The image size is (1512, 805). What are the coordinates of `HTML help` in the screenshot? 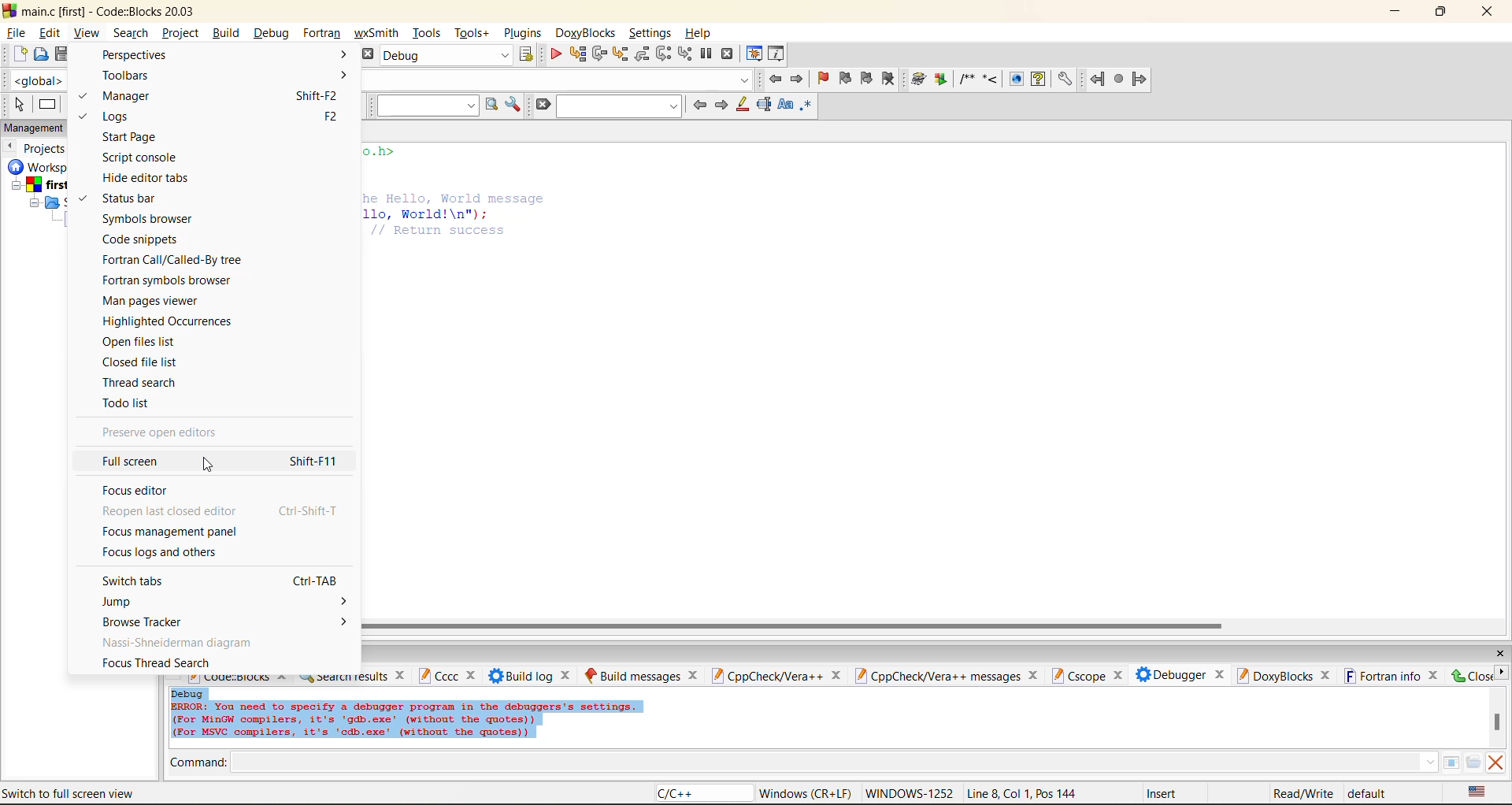 It's located at (1040, 80).